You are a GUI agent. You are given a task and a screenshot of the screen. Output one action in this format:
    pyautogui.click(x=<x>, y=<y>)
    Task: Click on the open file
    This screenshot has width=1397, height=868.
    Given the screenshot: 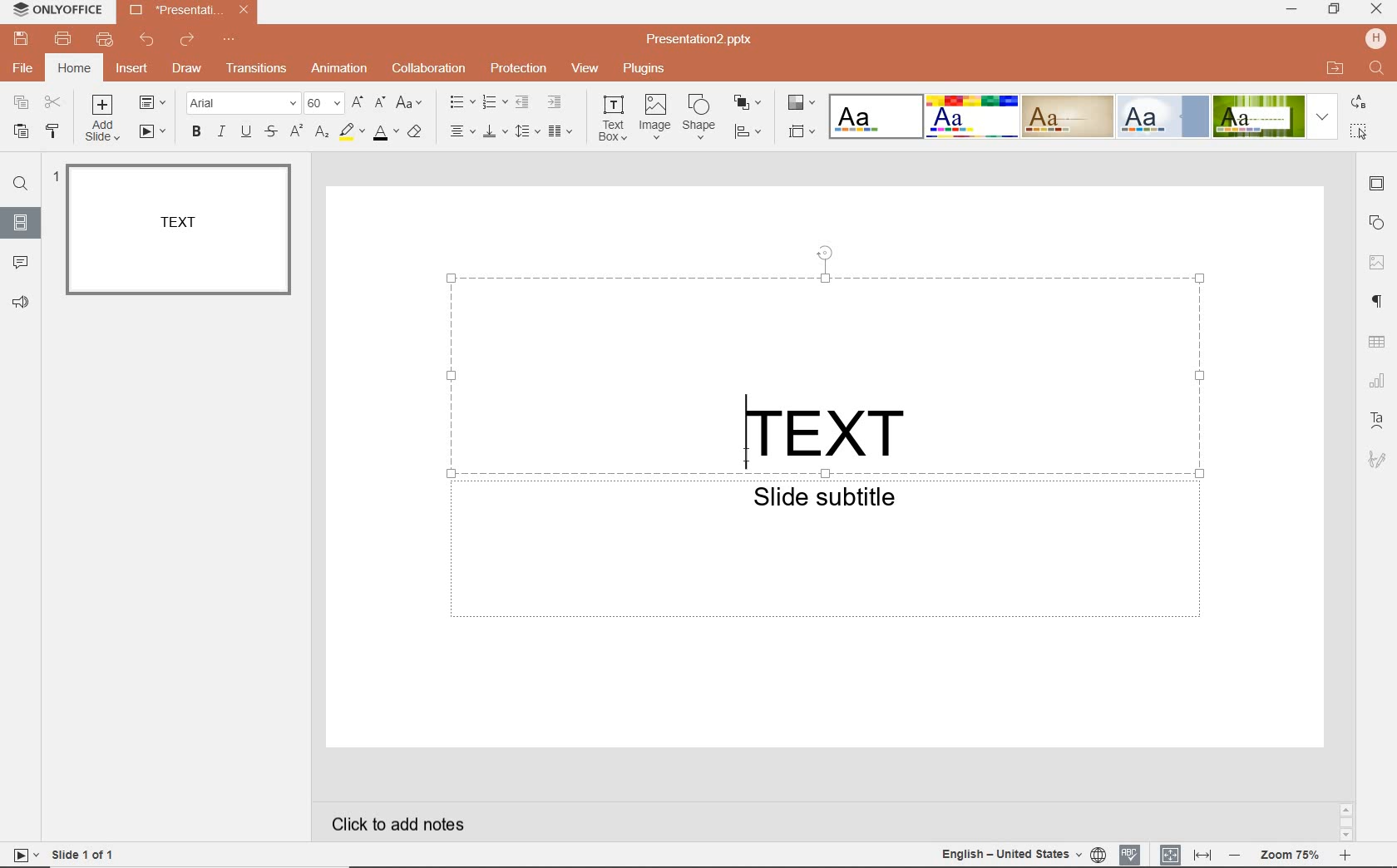 What is the action you would take?
    pyautogui.click(x=1335, y=68)
    